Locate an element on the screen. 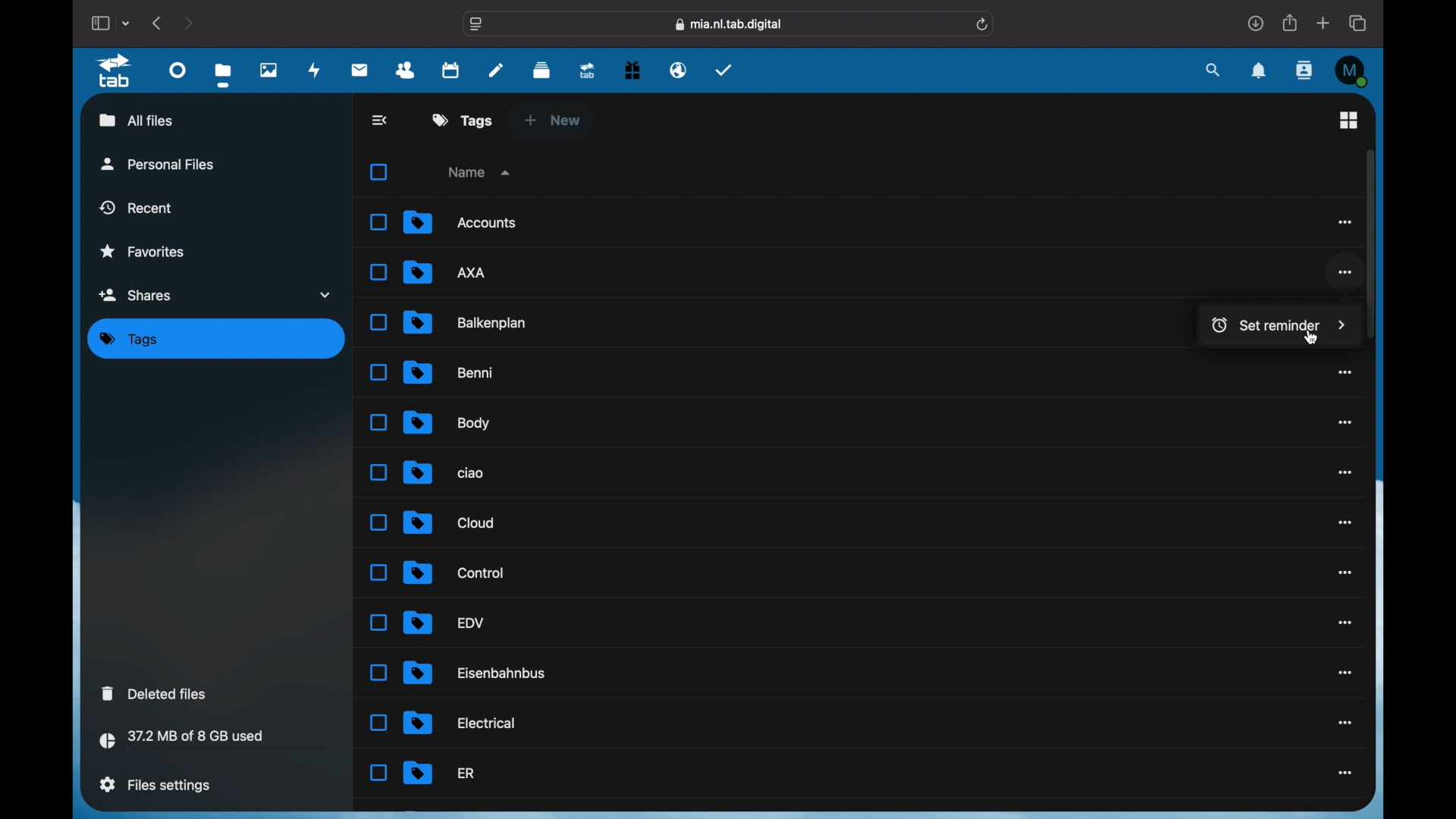 Image resolution: width=1456 pixels, height=819 pixels. all files is located at coordinates (136, 120).